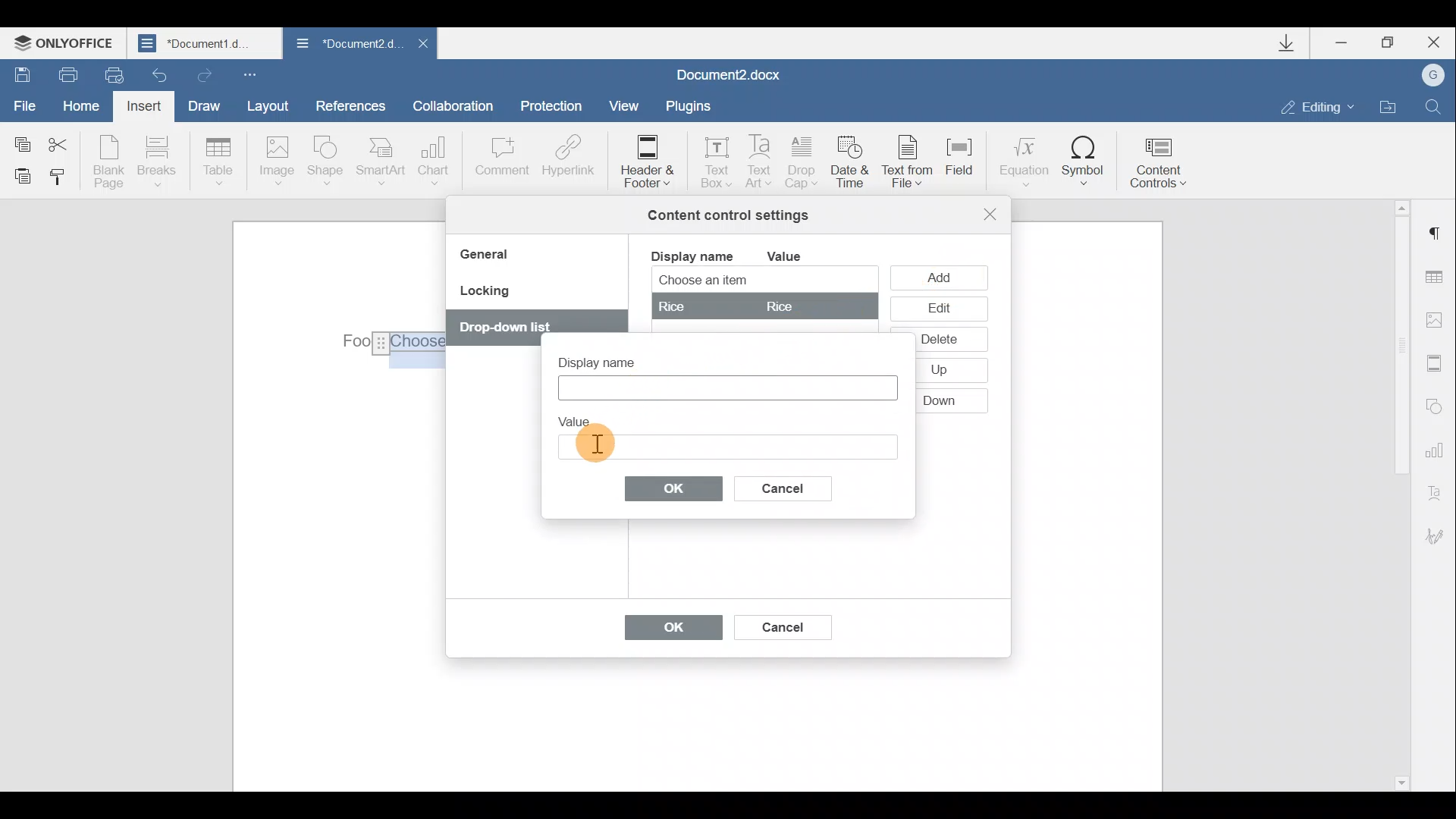 The width and height of the screenshot is (1456, 819). I want to click on , so click(511, 327).